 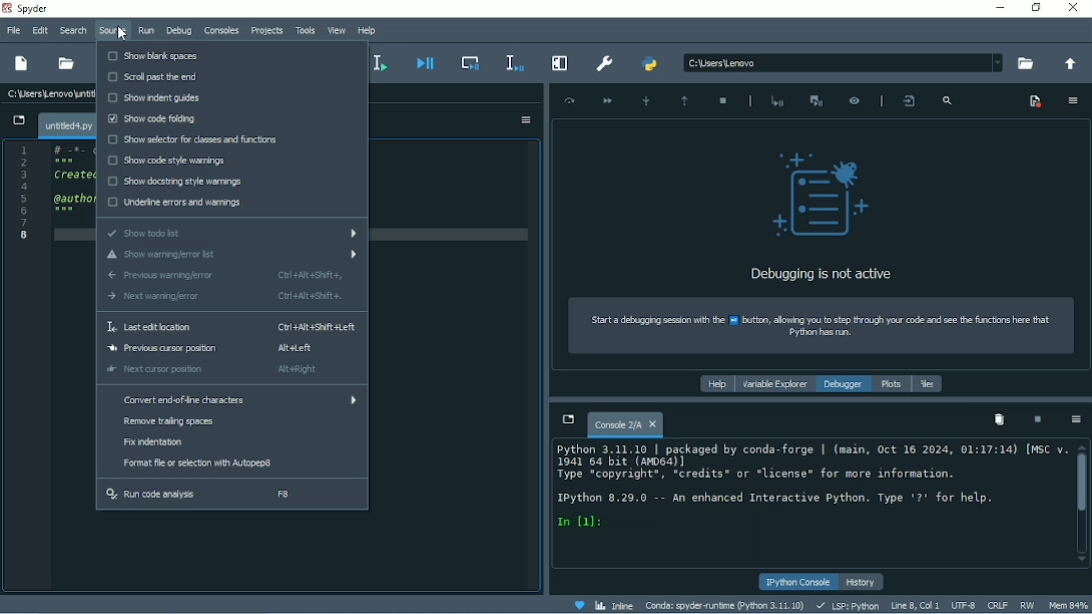 I want to click on Stop debbuging, so click(x=725, y=100).